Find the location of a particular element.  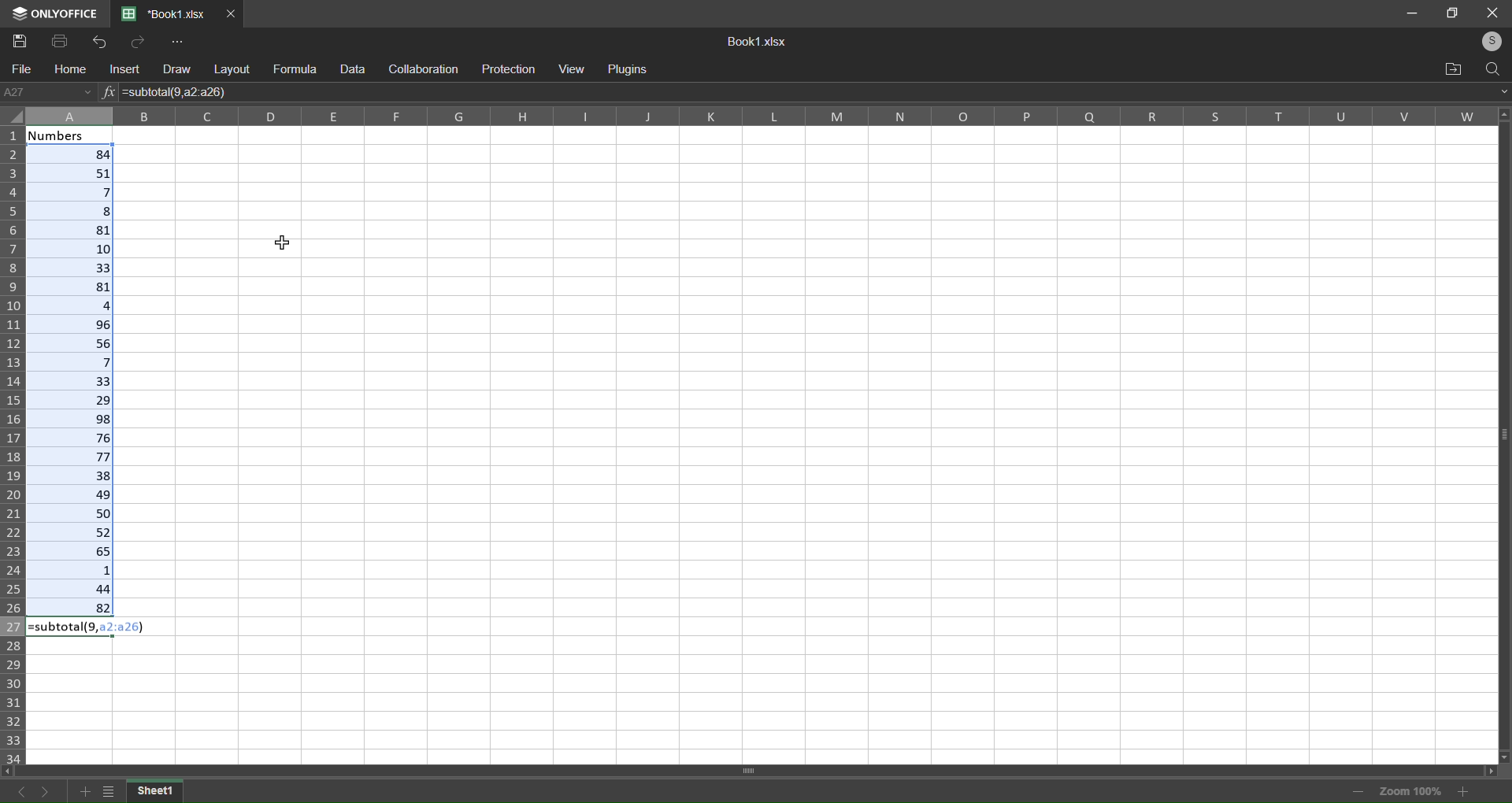

Logo is located at coordinates (56, 14).